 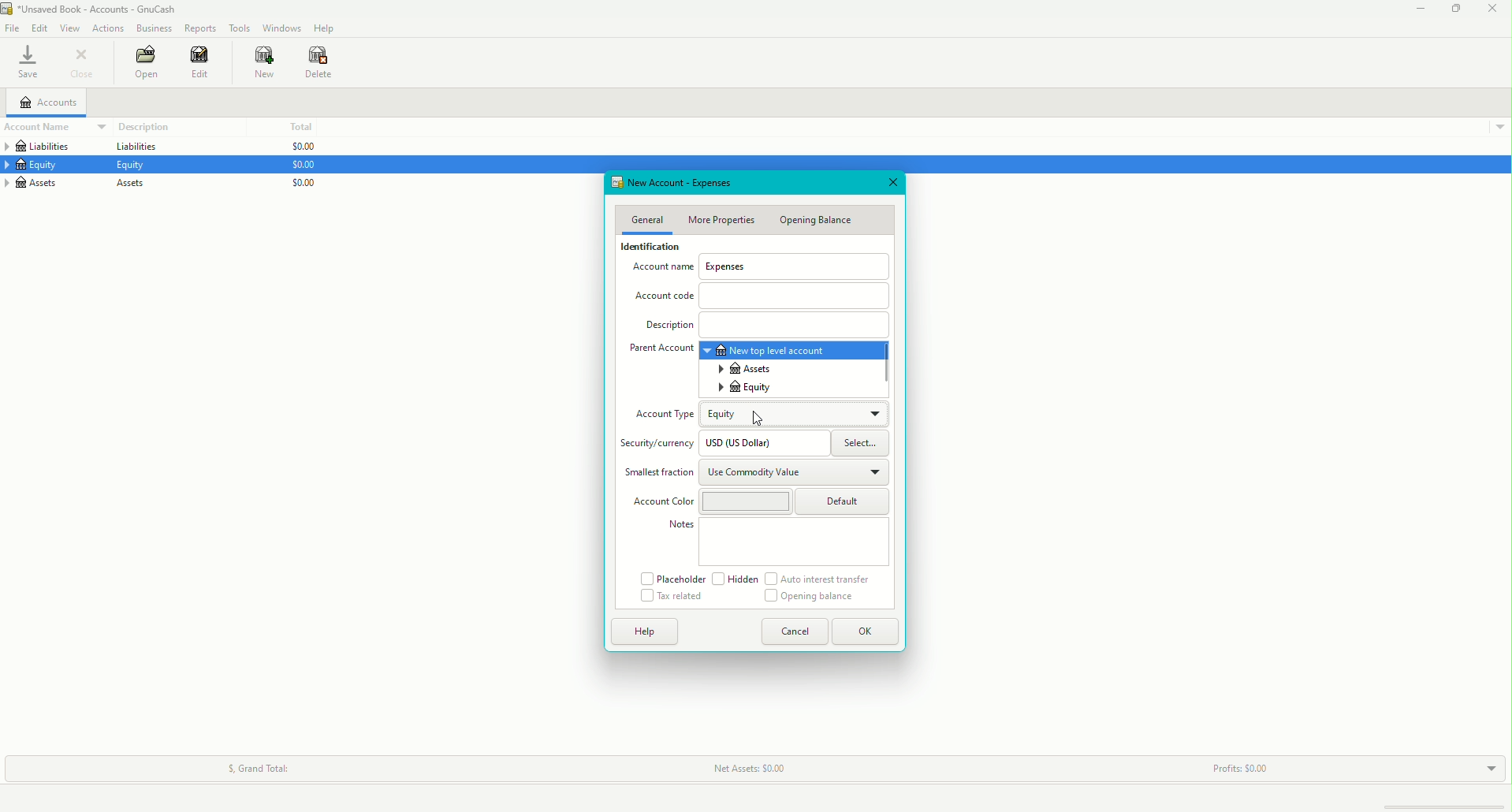 What do you see at coordinates (650, 633) in the screenshot?
I see `Help` at bounding box center [650, 633].